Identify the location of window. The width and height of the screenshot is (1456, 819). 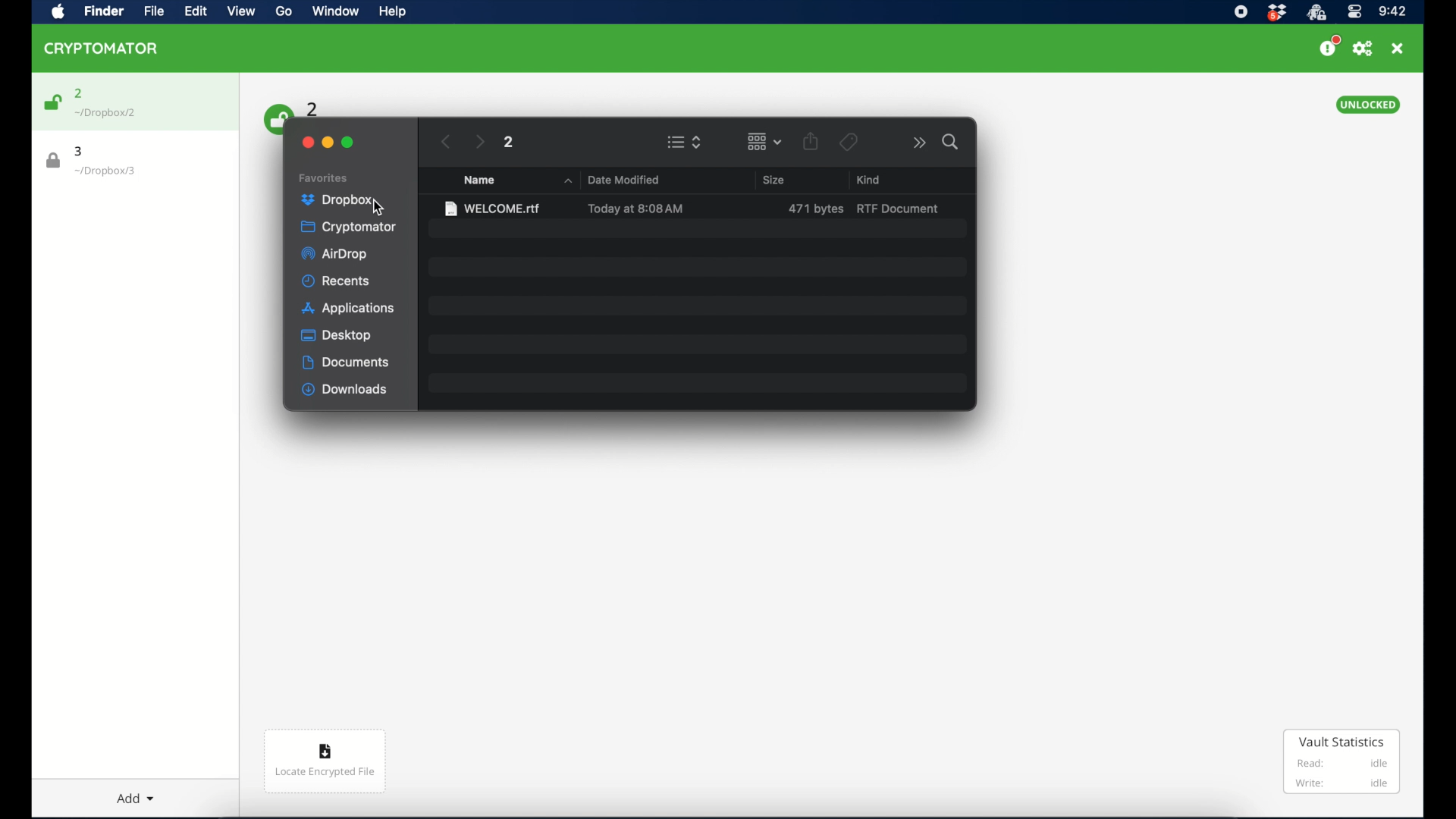
(334, 13).